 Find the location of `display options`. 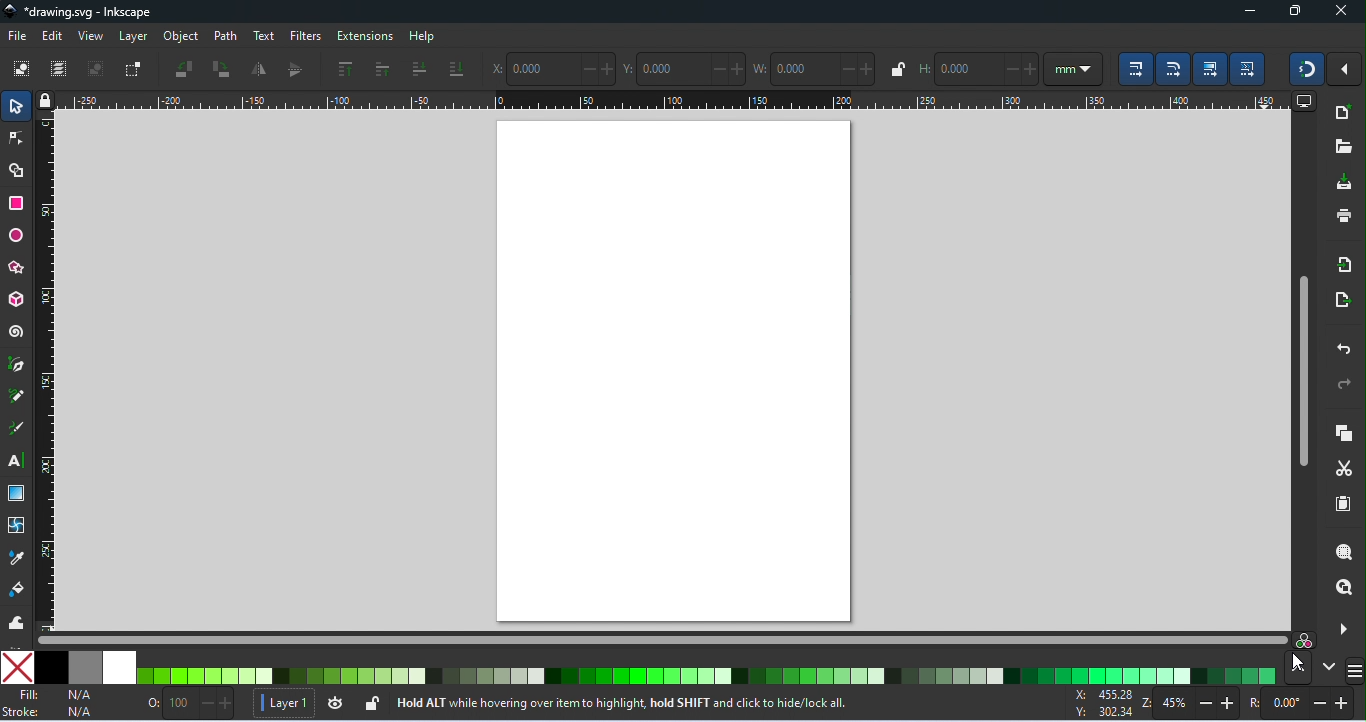

display options is located at coordinates (1305, 102).